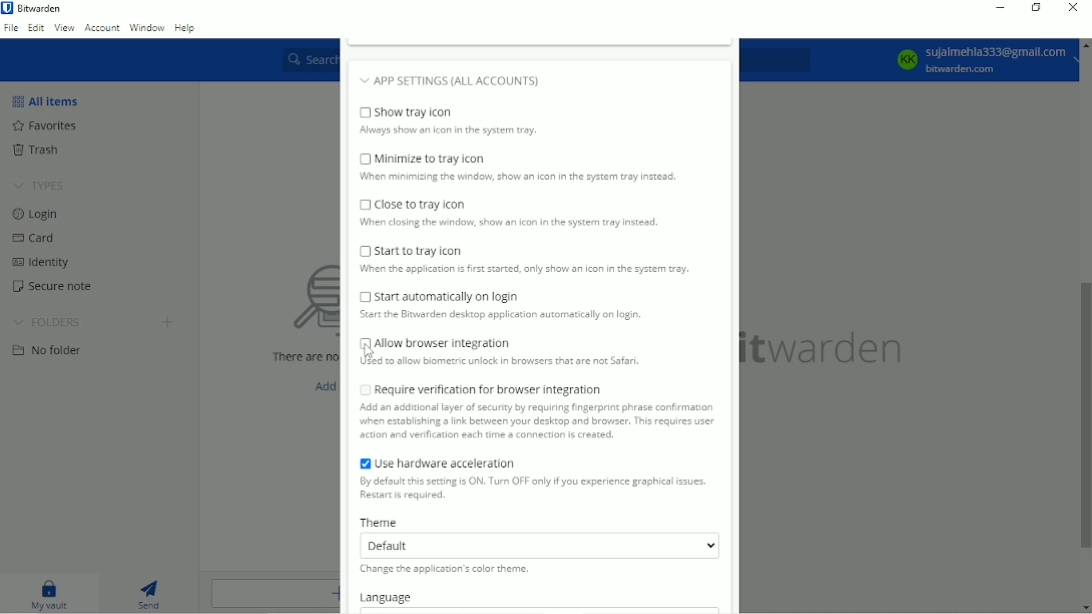 The width and height of the screenshot is (1092, 614). I want to click on App settings (all accounts), so click(489, 78).